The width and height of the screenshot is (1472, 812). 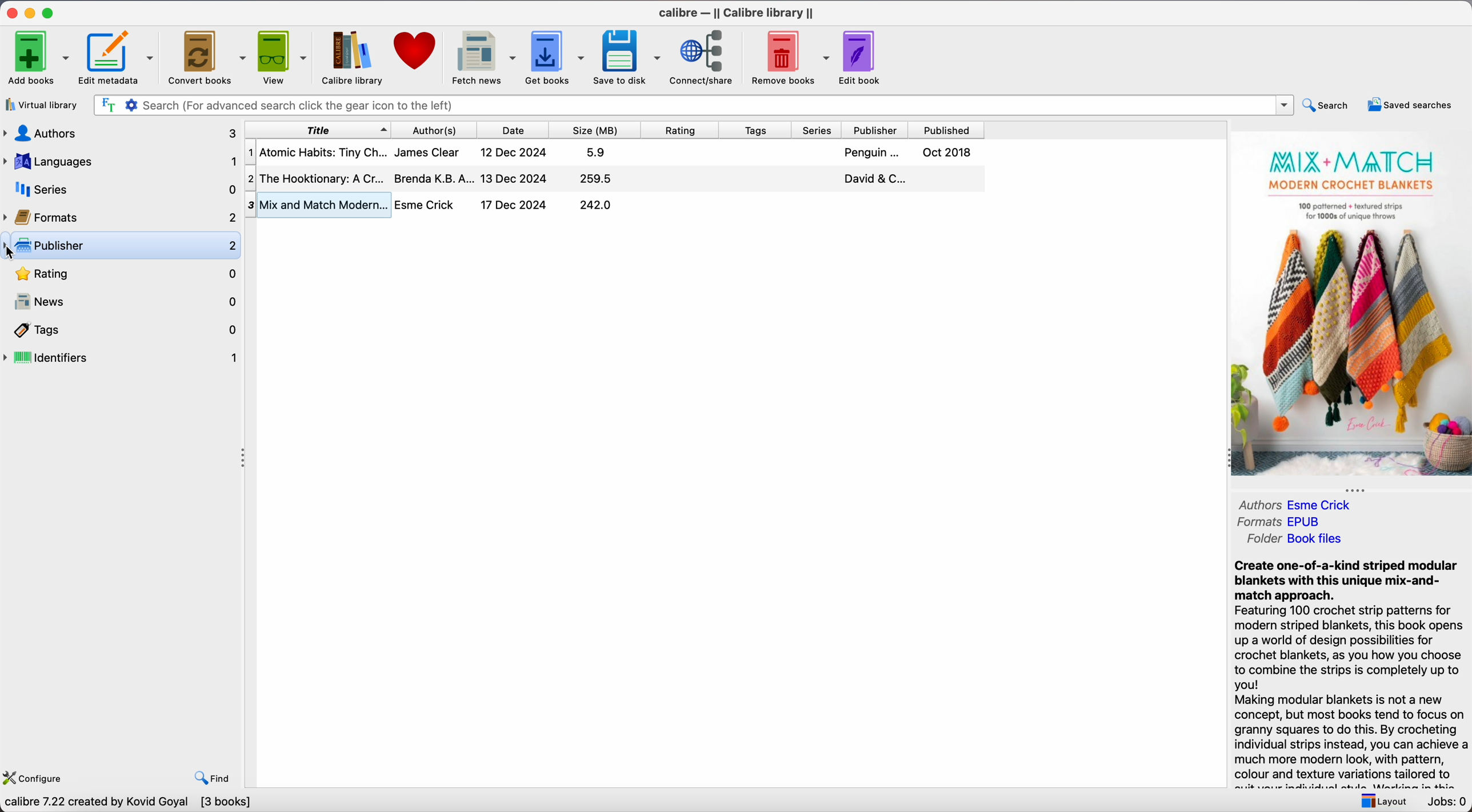 I want to click on close, so click(x=10, y=13).